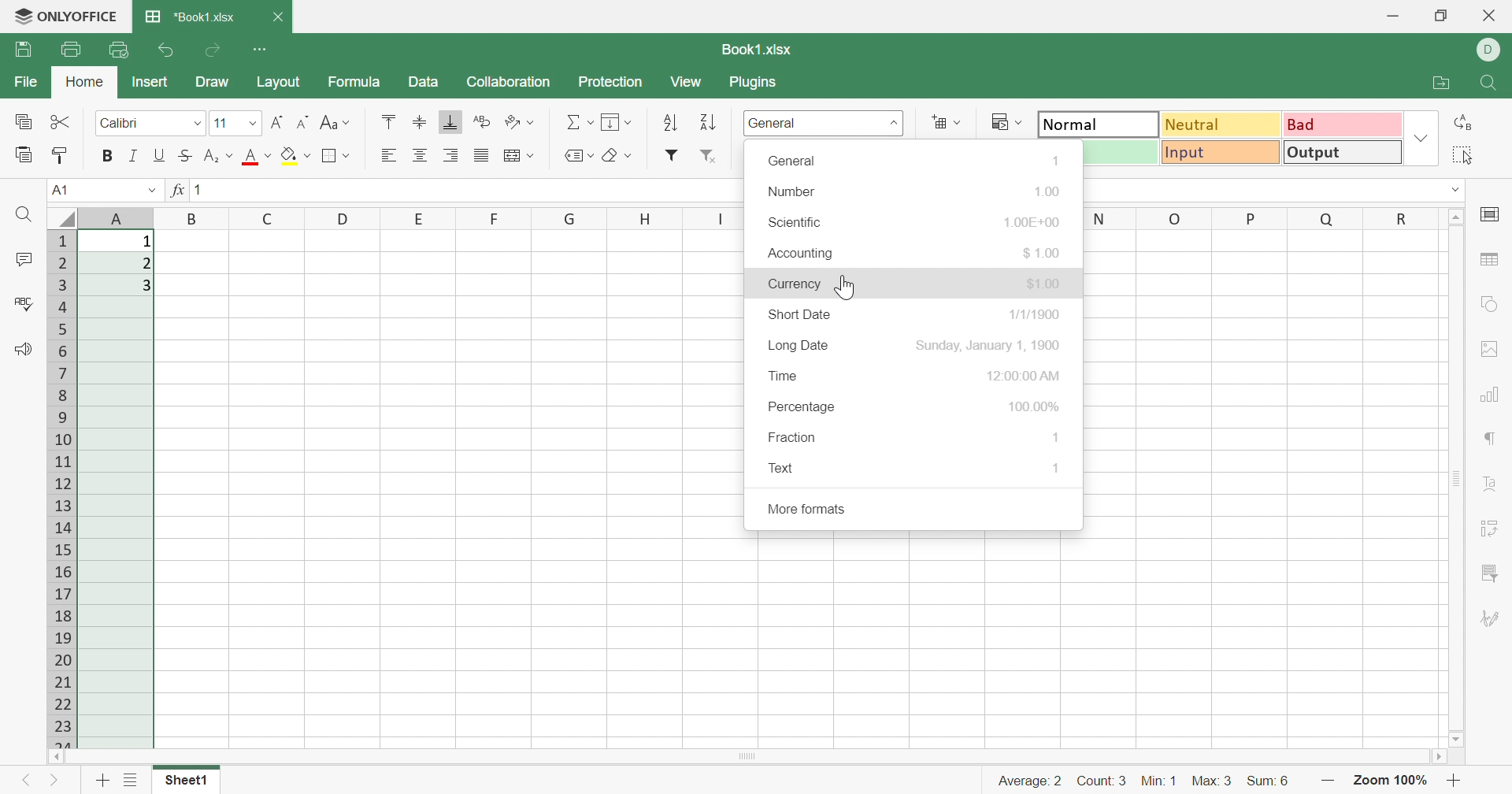 The width and height of the screenshot is (1512, 794). Describe the element at coordinates (81, 13) in the screenshot. I see `ONLYOFFICE` at that location.